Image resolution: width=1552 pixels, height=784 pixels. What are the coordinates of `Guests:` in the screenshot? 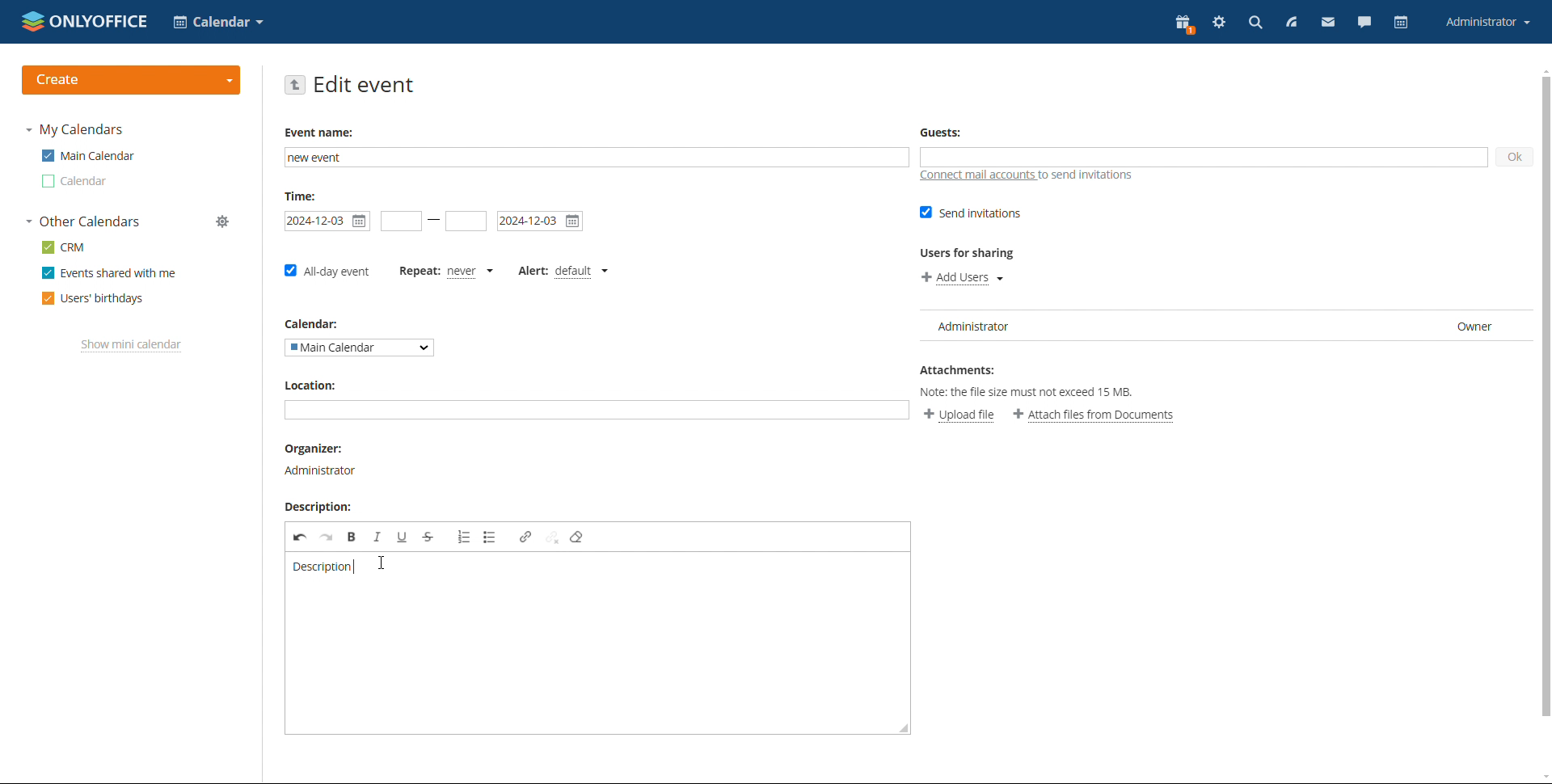 It's located at (943, 131).